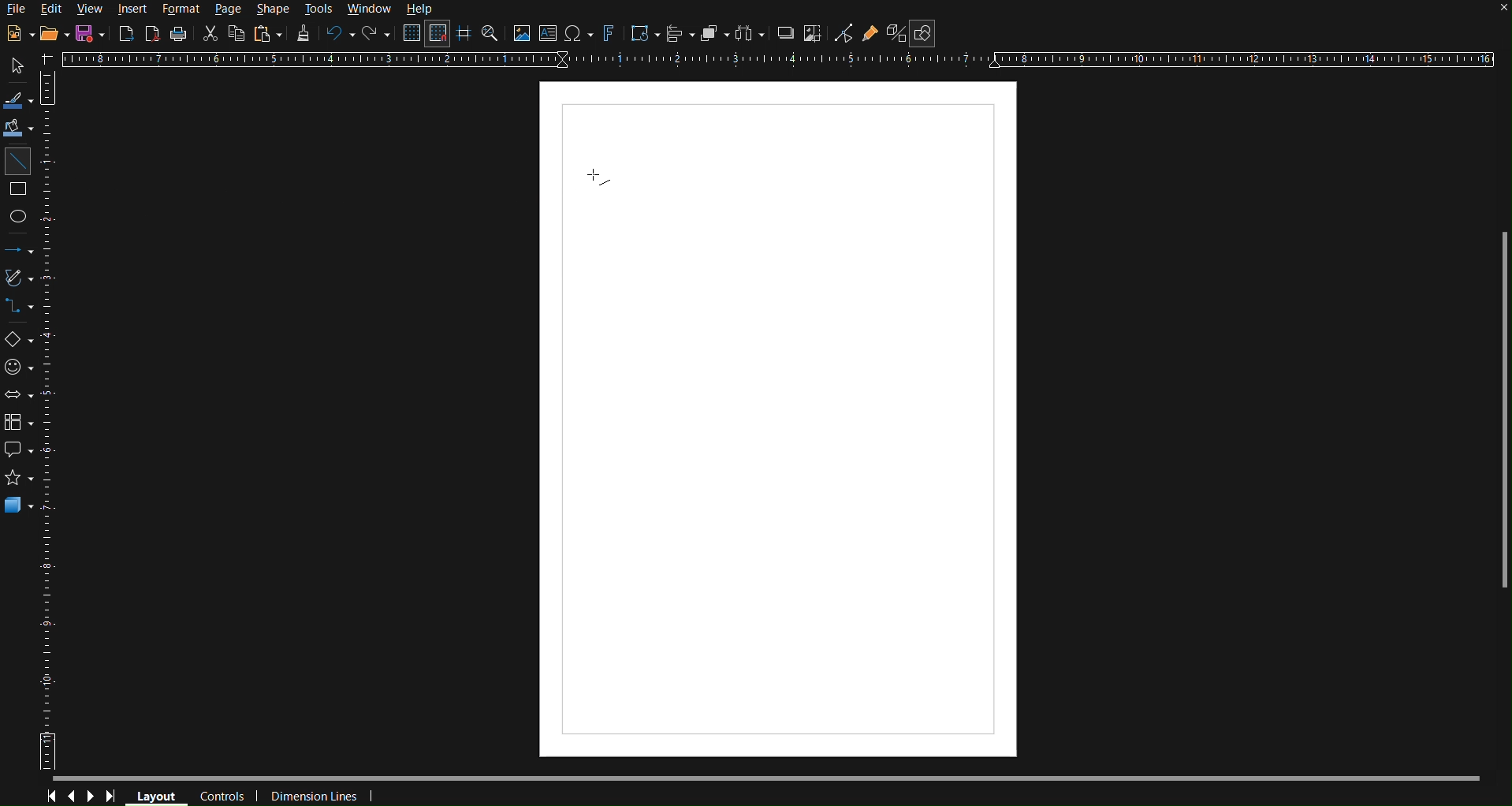  I want to click on Display Grid, so click(410, 33).